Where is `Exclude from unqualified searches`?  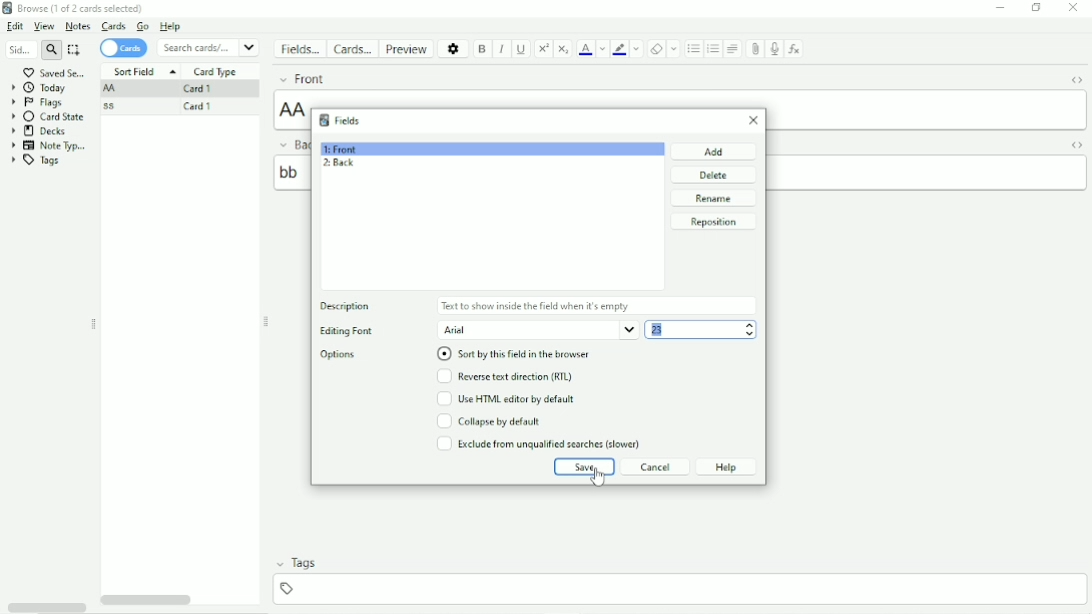 Exclude from unqualified searches is located at coordinates (539, 444).